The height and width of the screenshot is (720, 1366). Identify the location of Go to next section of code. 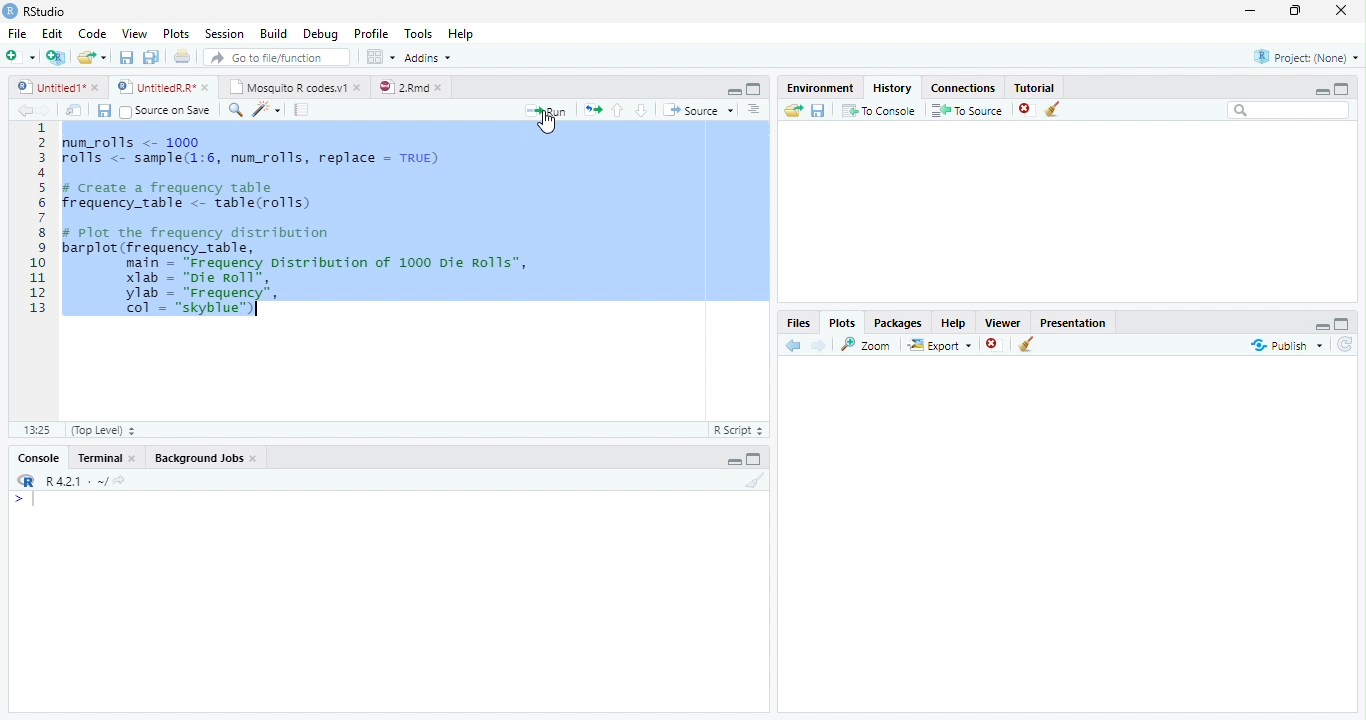
(642, 110).